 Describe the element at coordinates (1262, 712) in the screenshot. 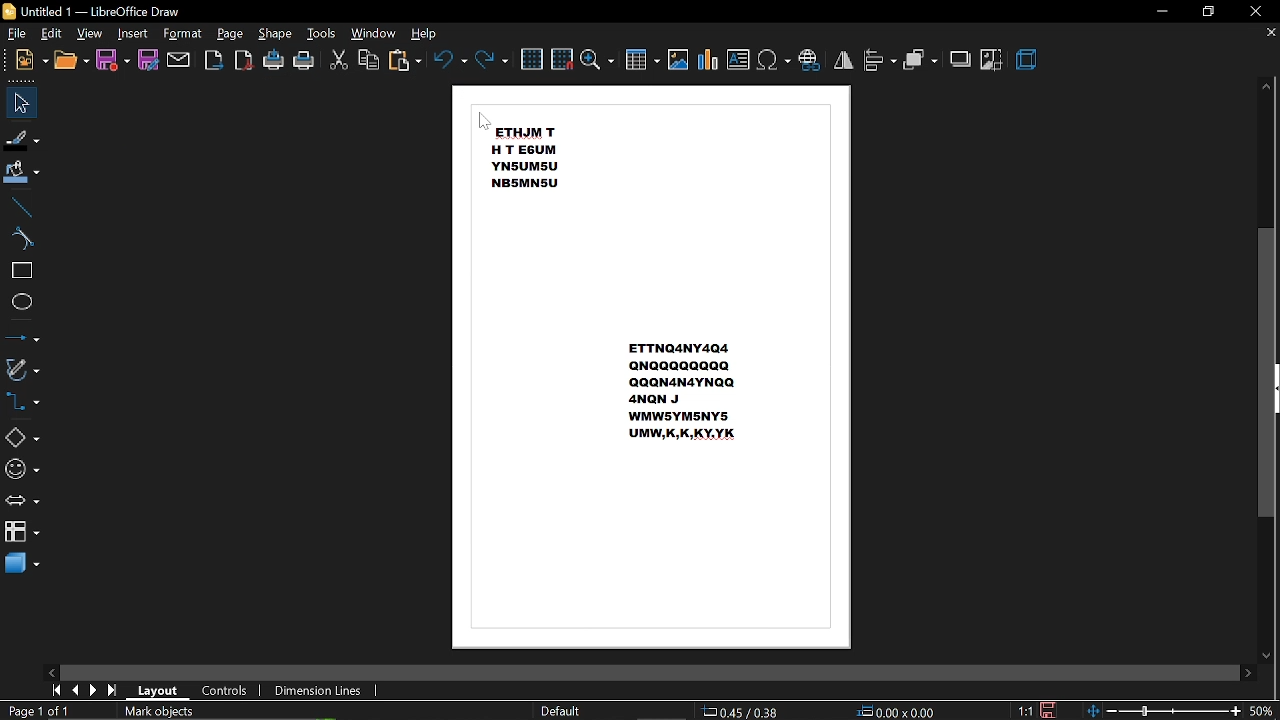

I see `50%` at that location.